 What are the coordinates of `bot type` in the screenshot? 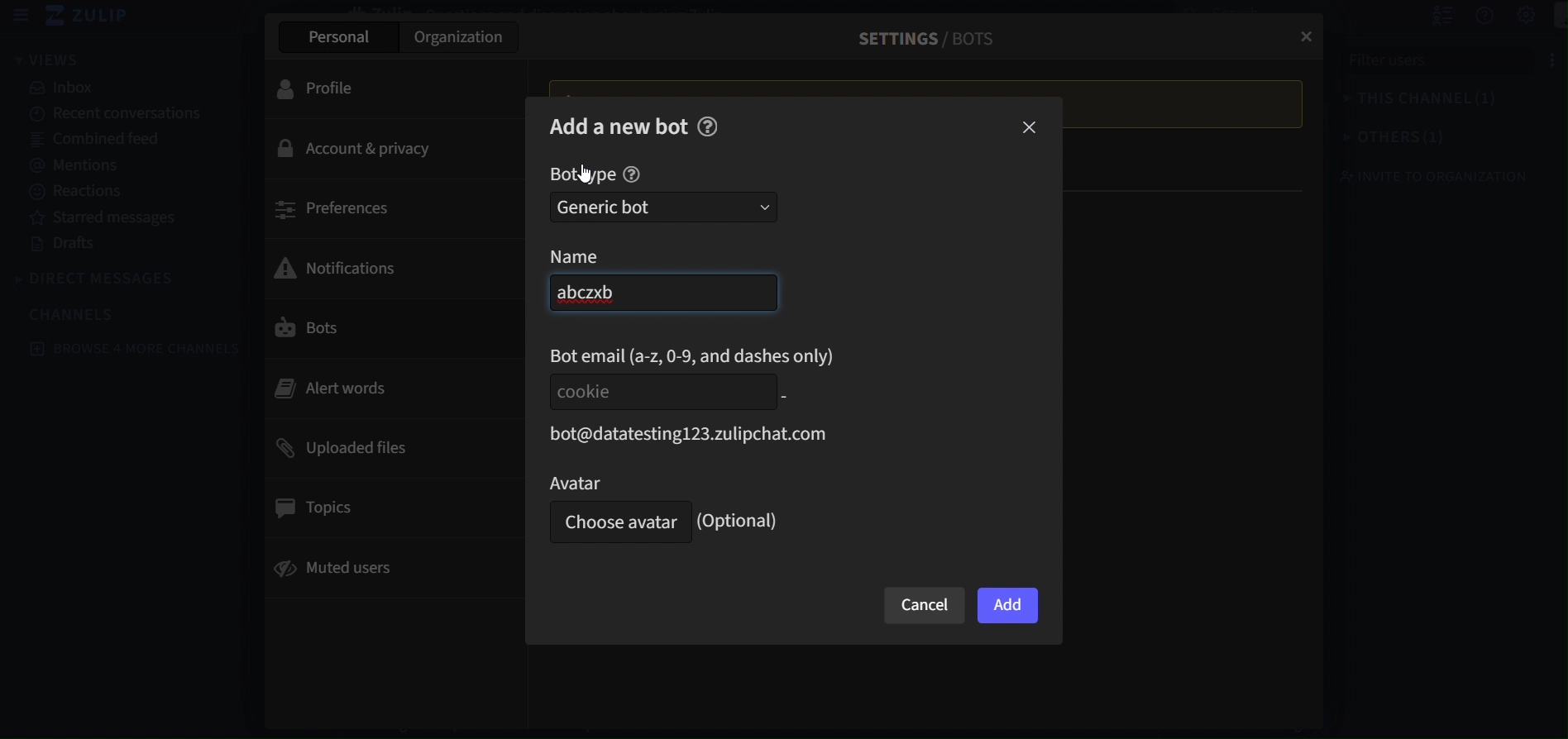 It's located at (582, 175).